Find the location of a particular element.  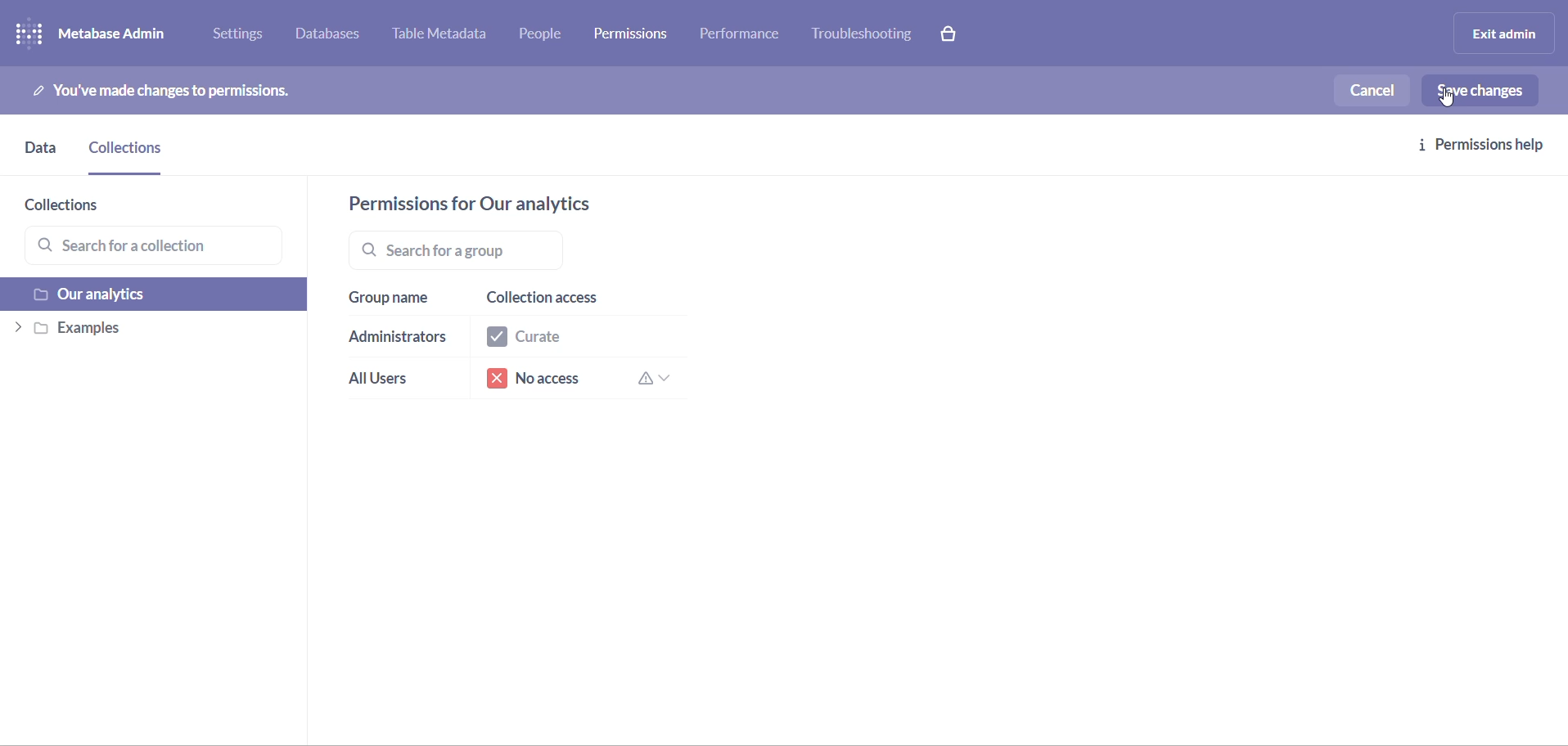

logo and name is located at coordinates (105, 34).